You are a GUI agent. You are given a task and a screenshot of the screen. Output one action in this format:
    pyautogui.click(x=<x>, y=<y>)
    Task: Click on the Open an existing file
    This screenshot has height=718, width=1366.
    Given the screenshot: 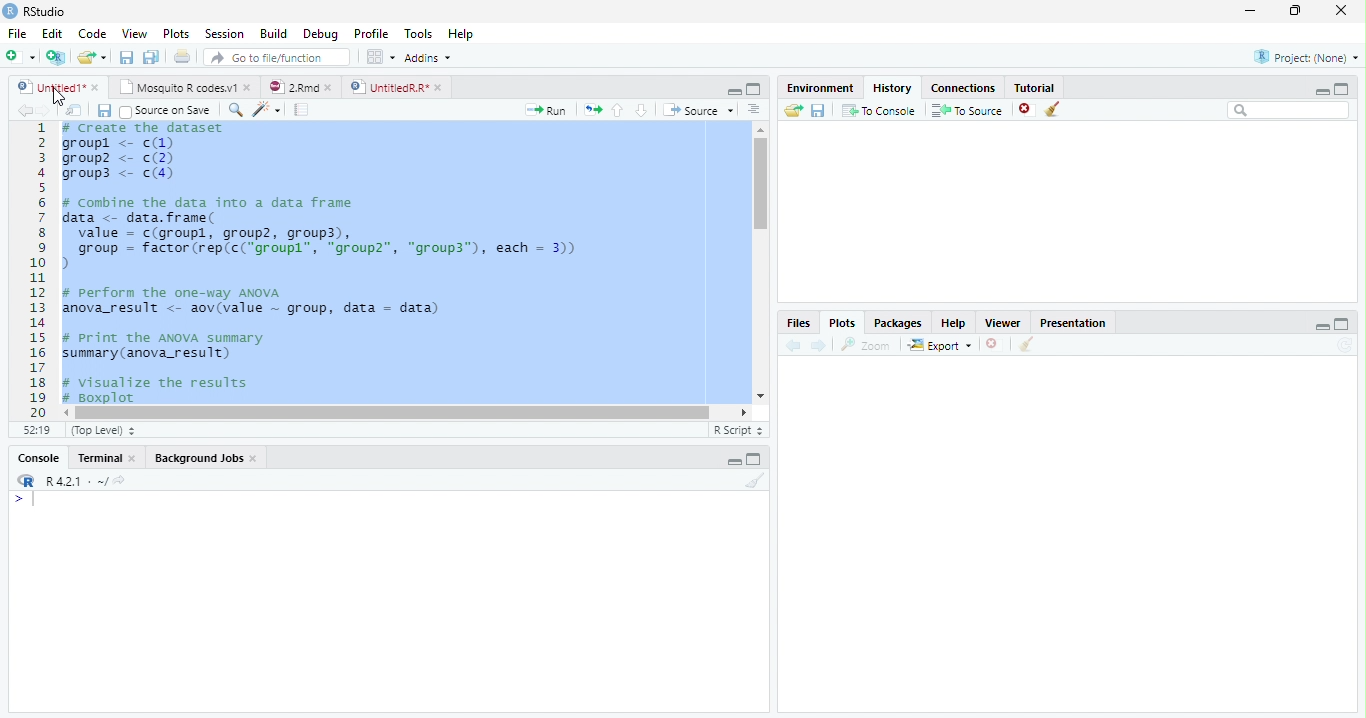 What is the action you would take?
    pyautogui.click(x=92, y=57)
    